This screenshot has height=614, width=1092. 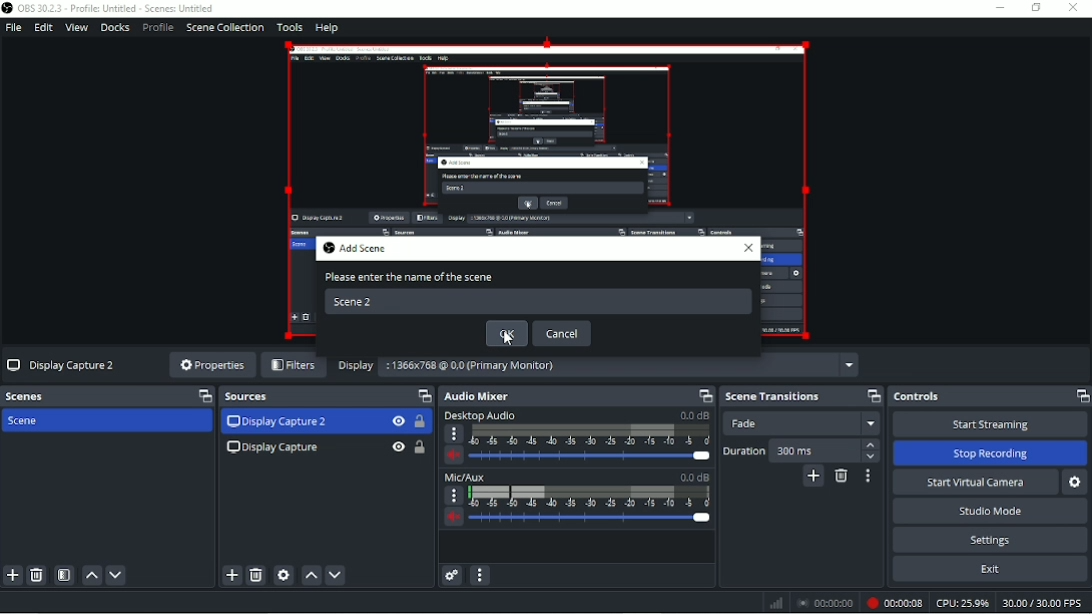 What do you see at coordinates (324, 29) in the screenshot?
I see `Help` at bounding box center [324, 29].